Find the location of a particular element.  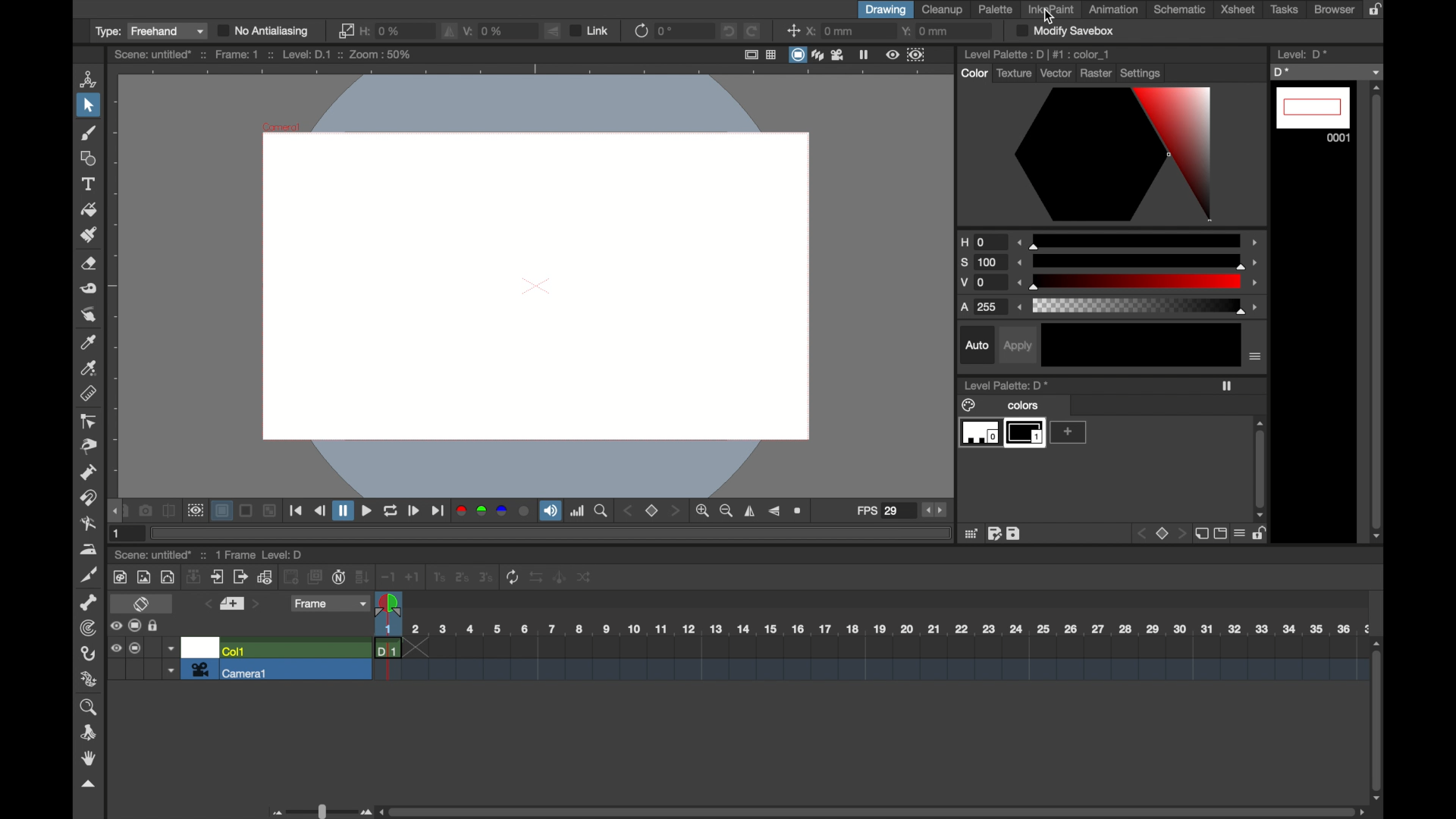

screen is located at coordinates (135, 626).